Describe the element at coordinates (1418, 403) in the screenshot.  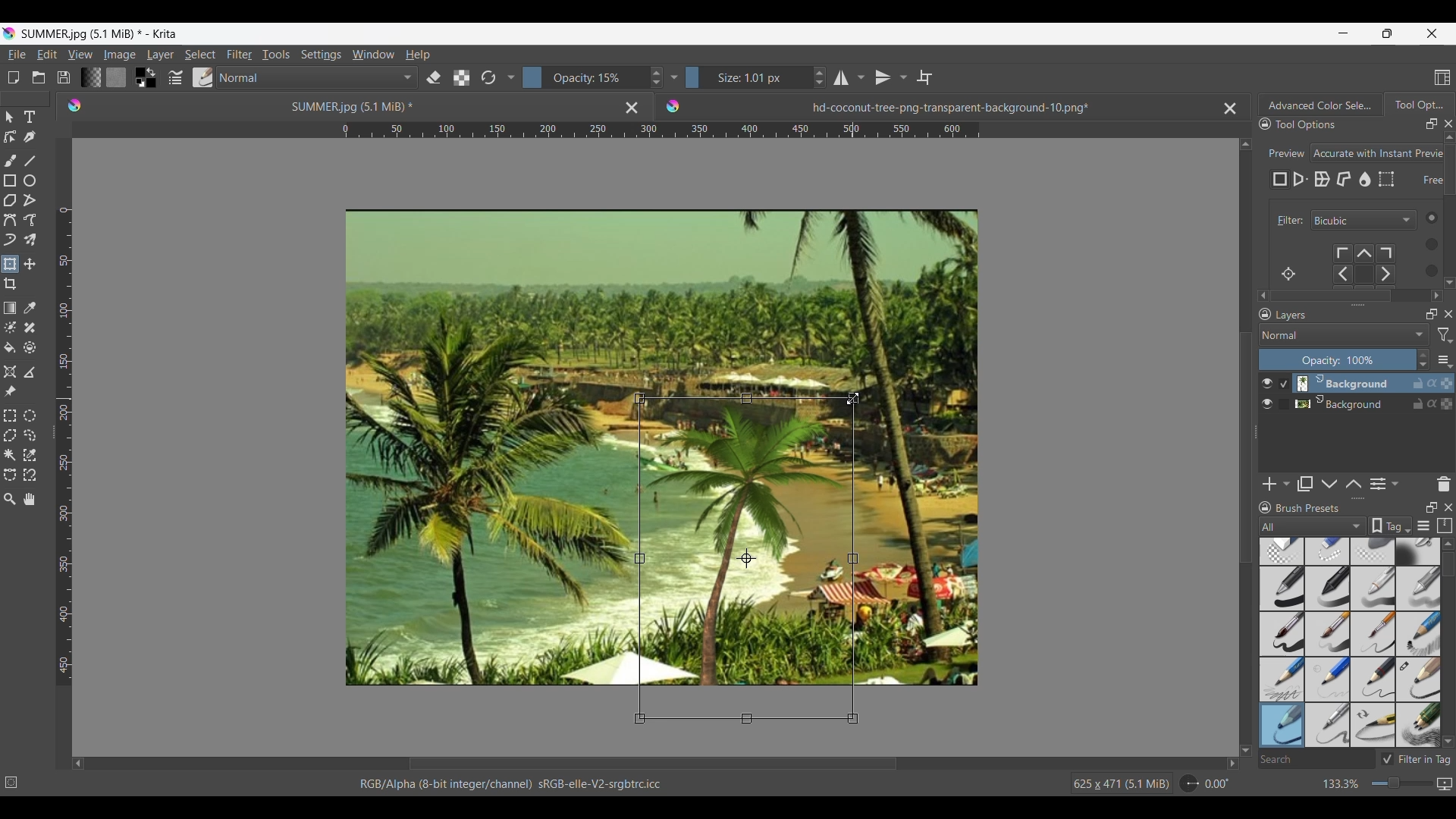
I see `Lock layer` at that location.